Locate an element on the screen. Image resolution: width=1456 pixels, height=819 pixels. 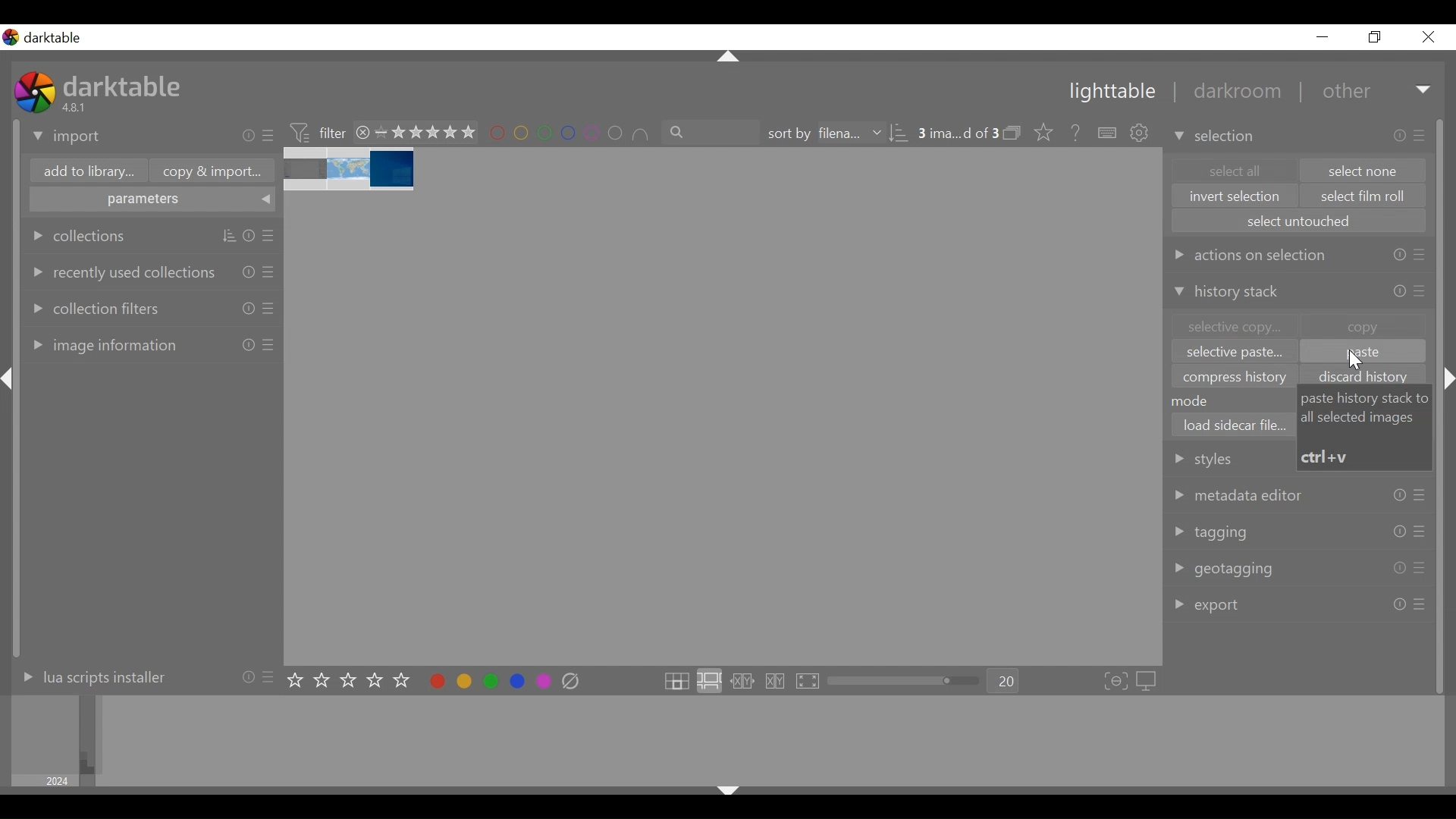
info is located at coordinates (1399, 532).